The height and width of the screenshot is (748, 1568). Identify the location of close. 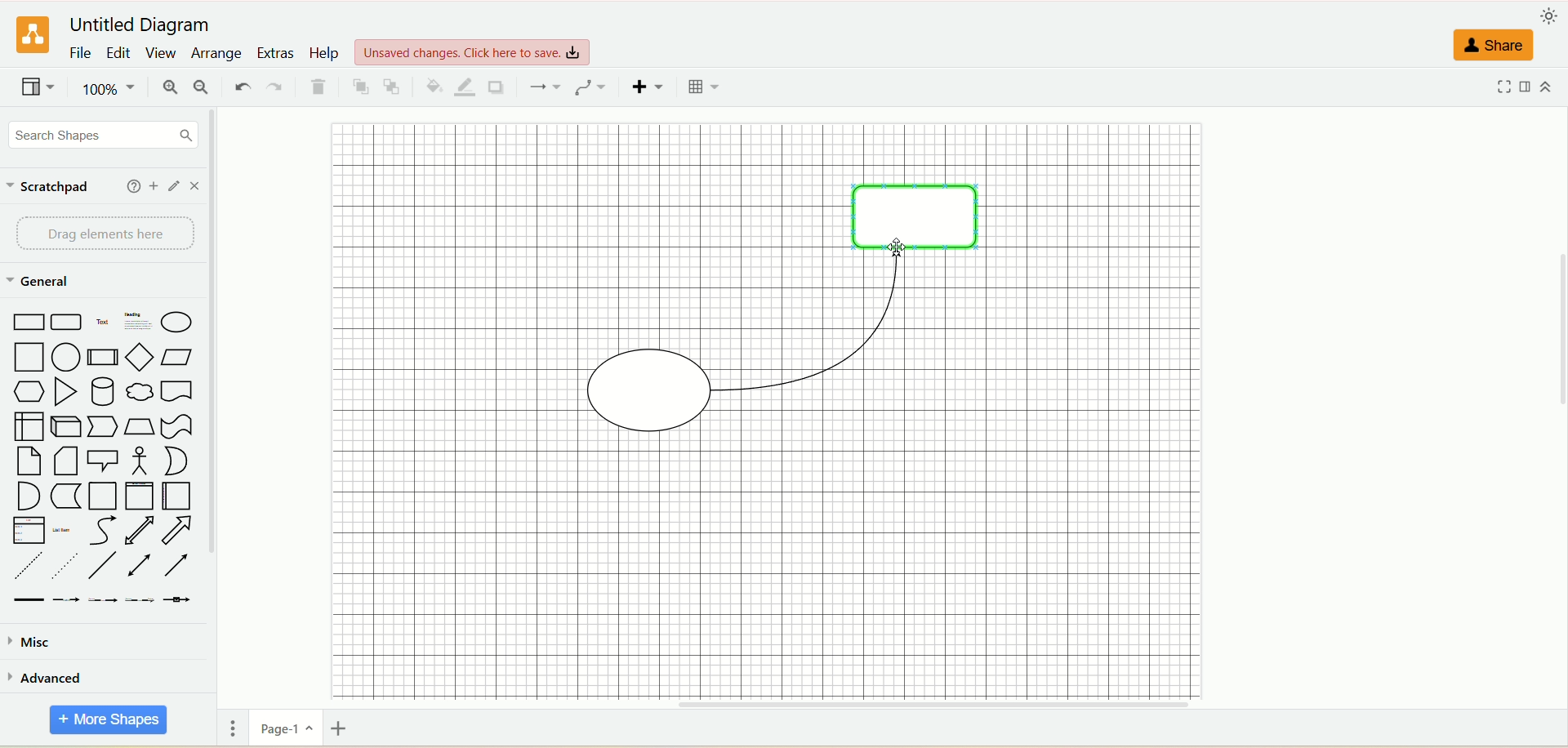
(195, 186).